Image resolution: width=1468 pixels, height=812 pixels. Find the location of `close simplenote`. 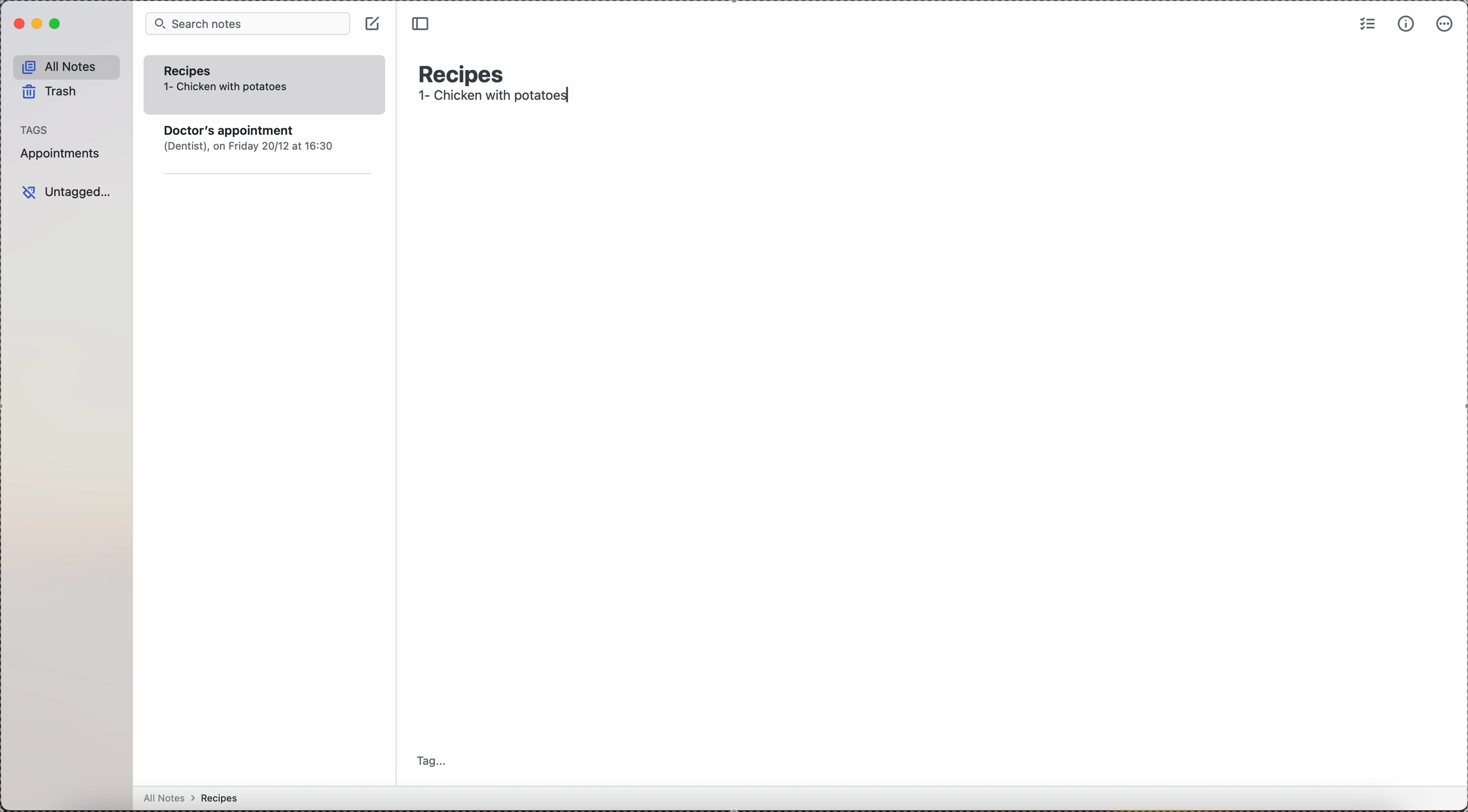

close simplenote is located at coordinates (17, 25).